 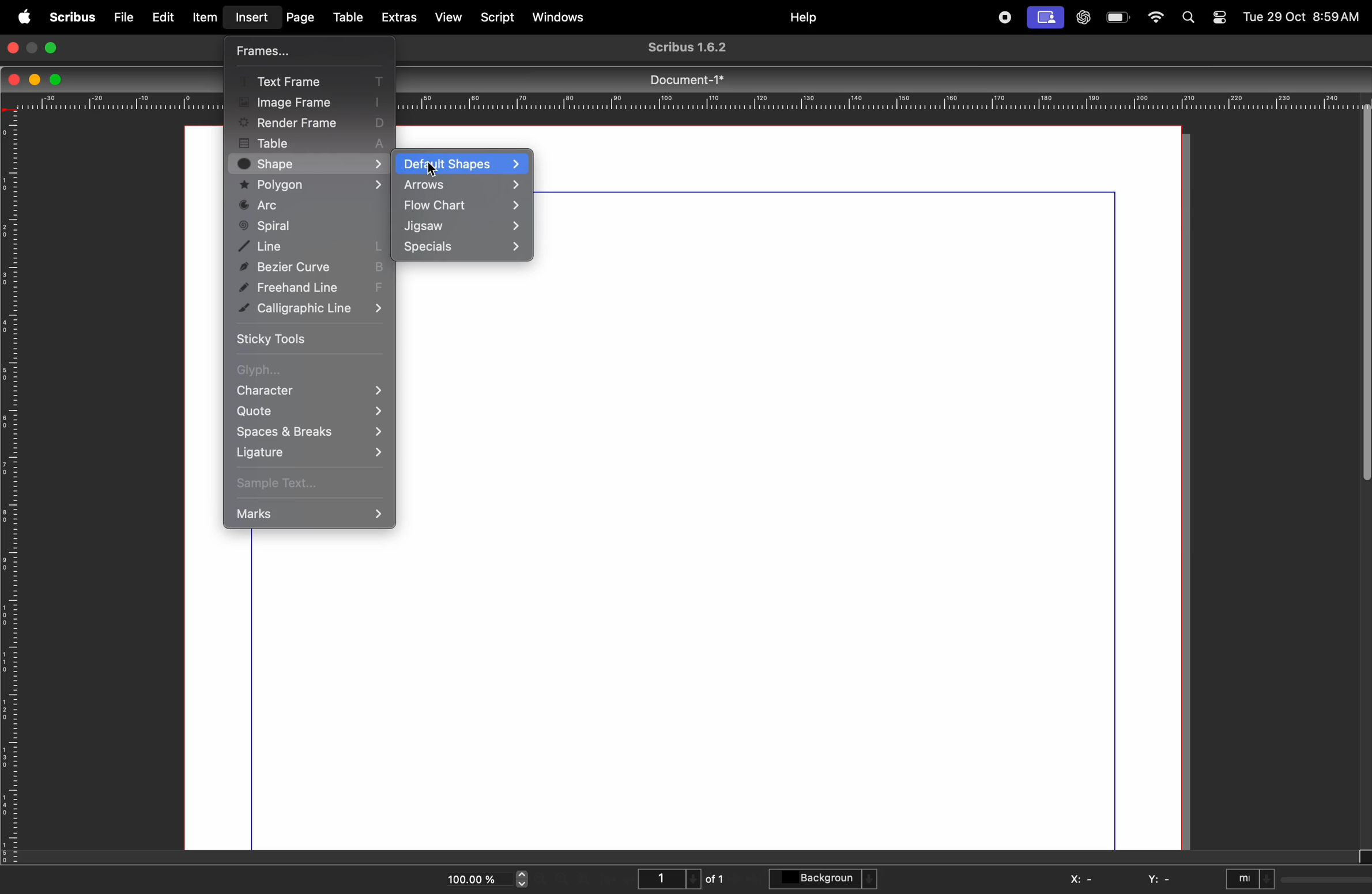 I want to click on minimize, so click(x=34, y=47).